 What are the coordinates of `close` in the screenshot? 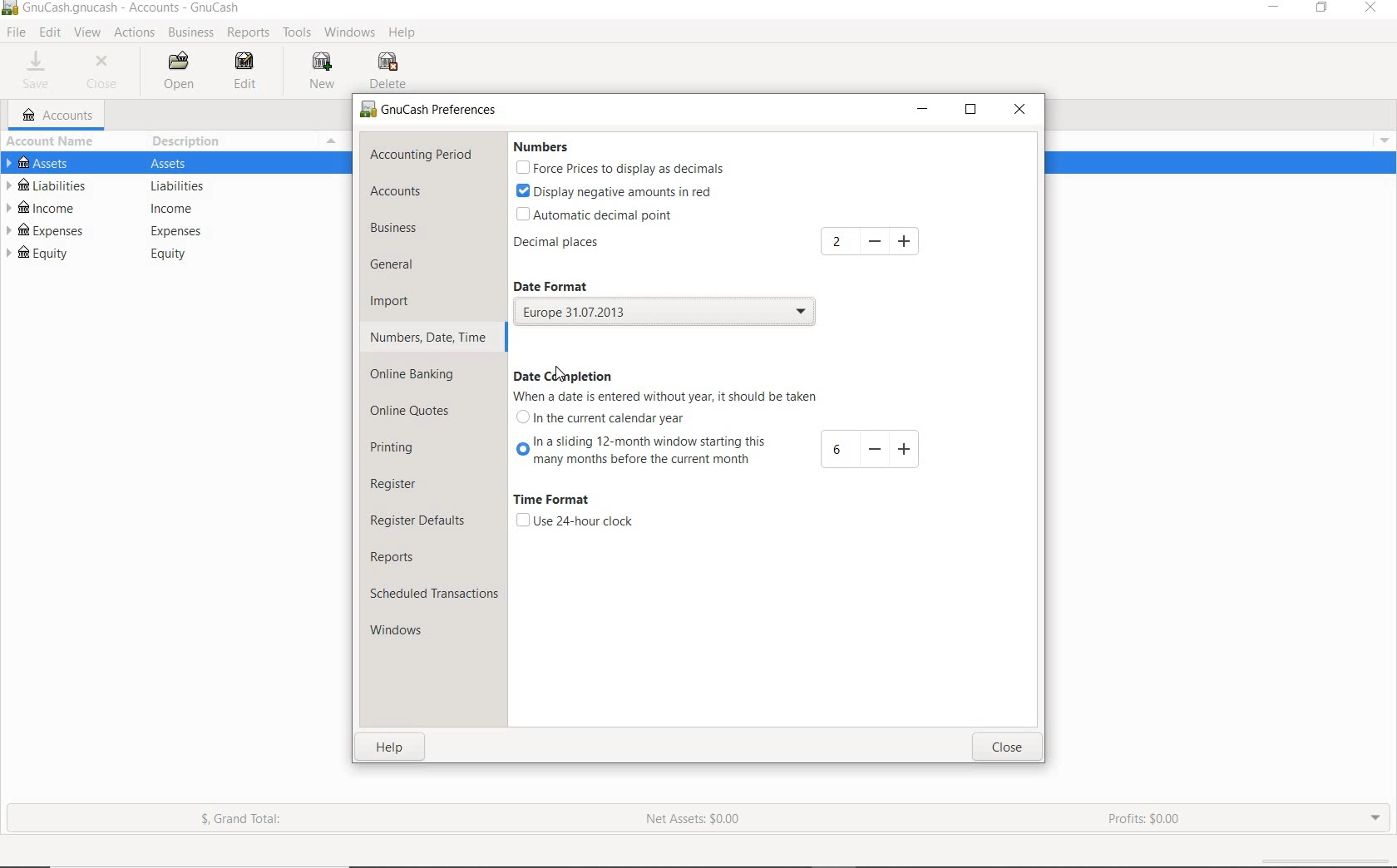 It's located at (1020, 111).